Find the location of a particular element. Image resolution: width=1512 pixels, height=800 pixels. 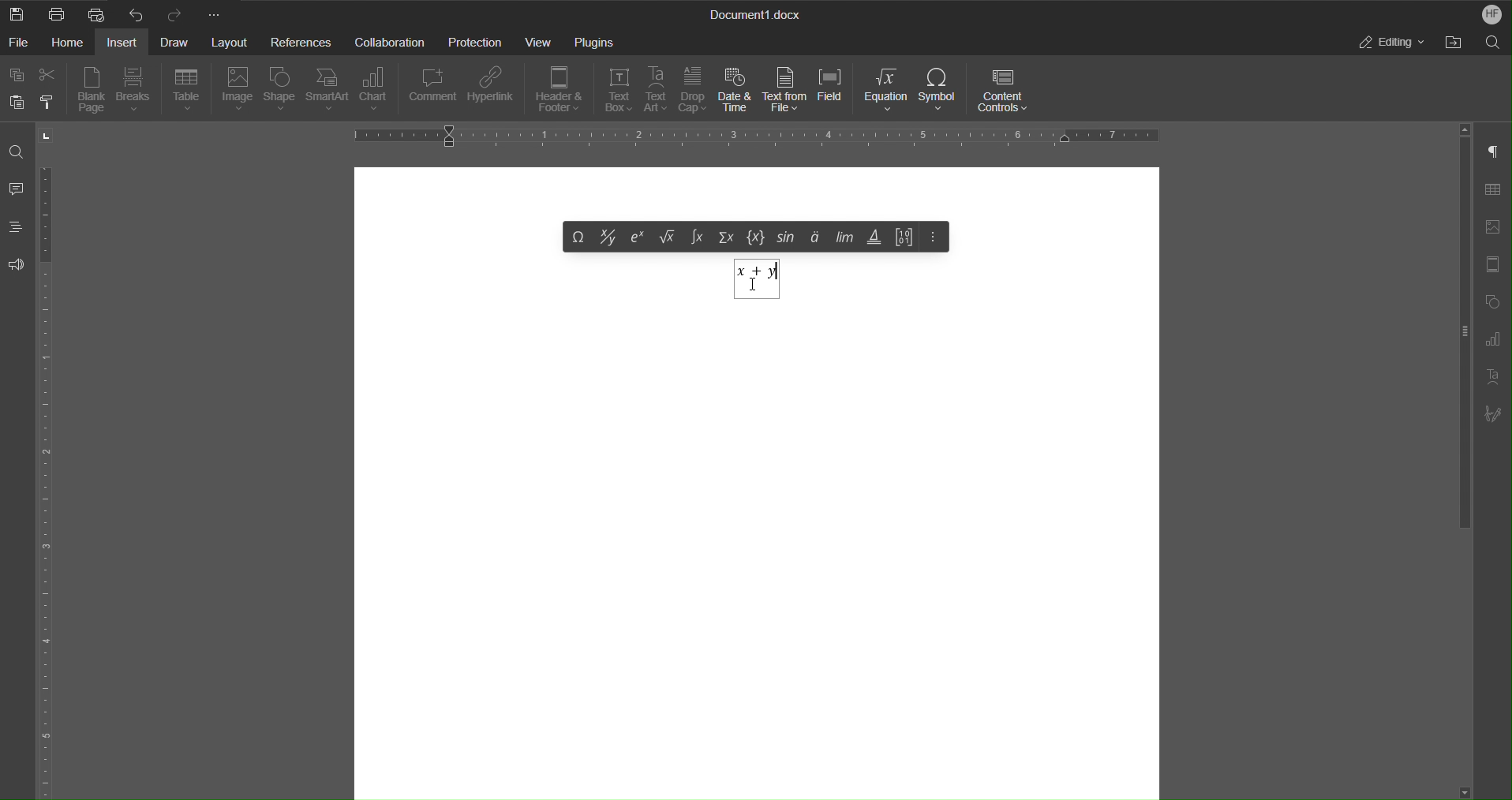

Operators is located at coordinates (874, 237).